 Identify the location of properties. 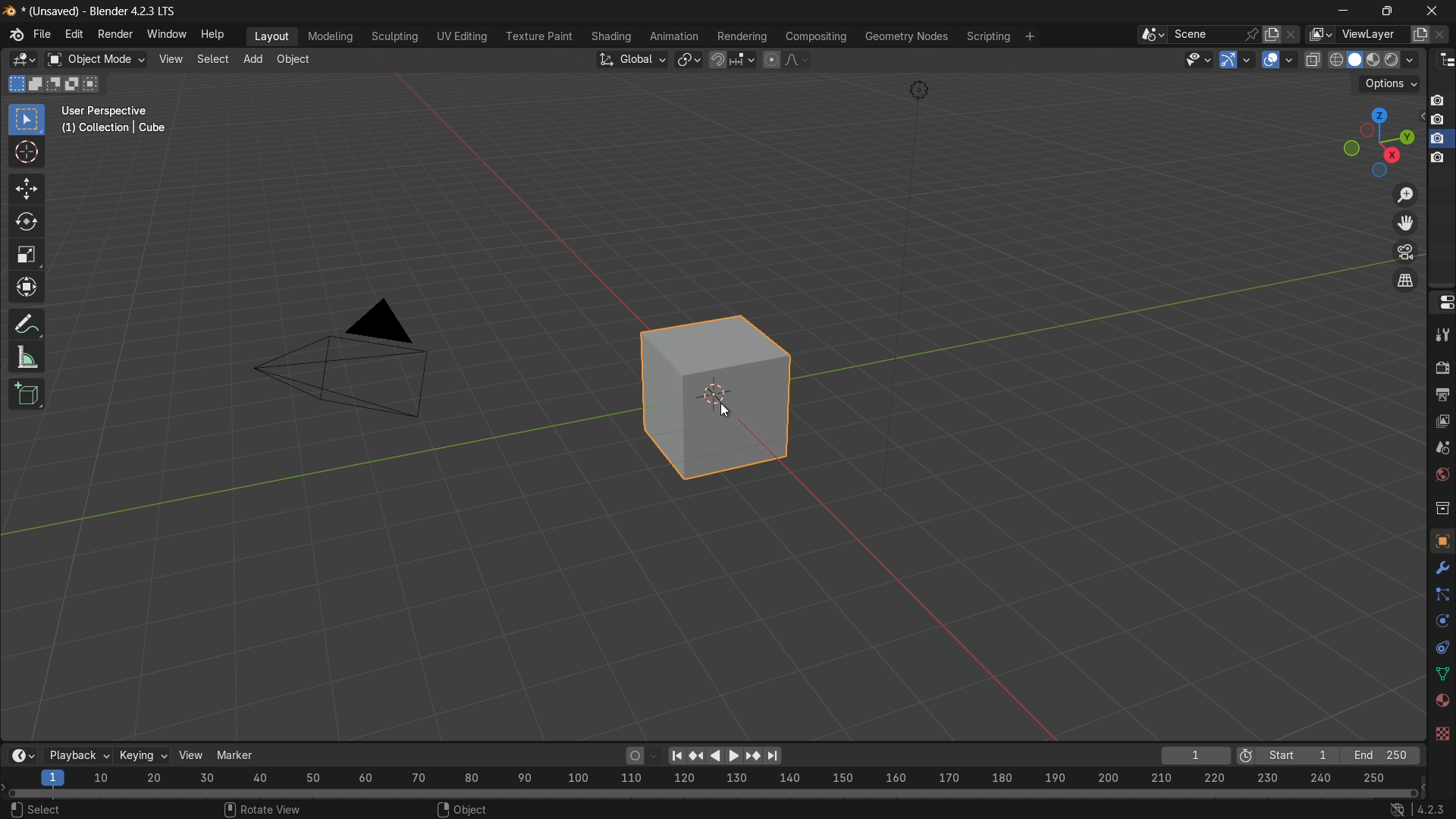
(1443, 303).